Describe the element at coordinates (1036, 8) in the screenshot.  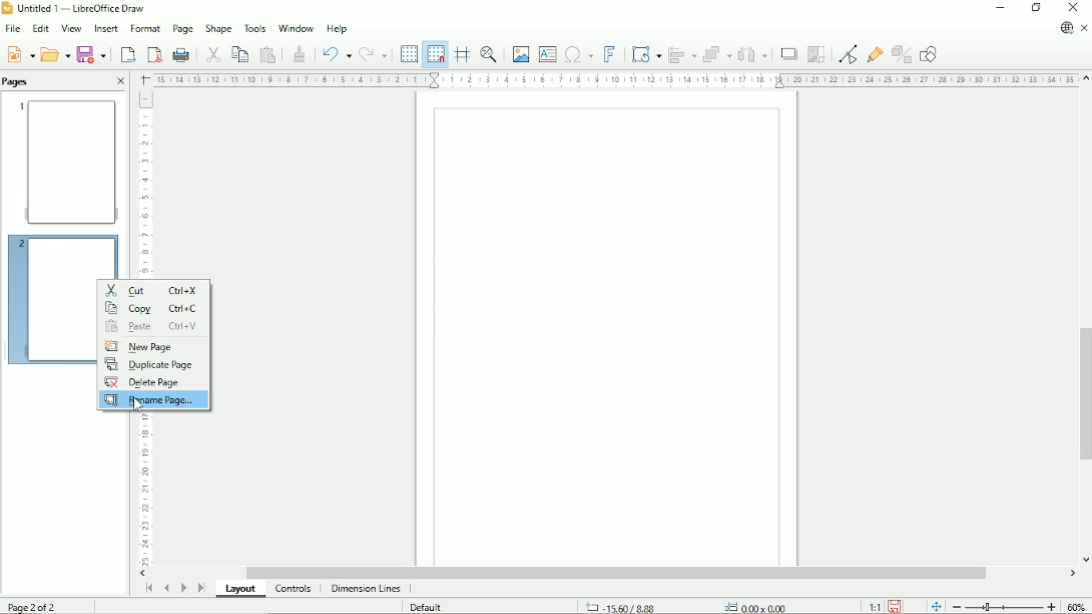
I see `Restore down` at that location.